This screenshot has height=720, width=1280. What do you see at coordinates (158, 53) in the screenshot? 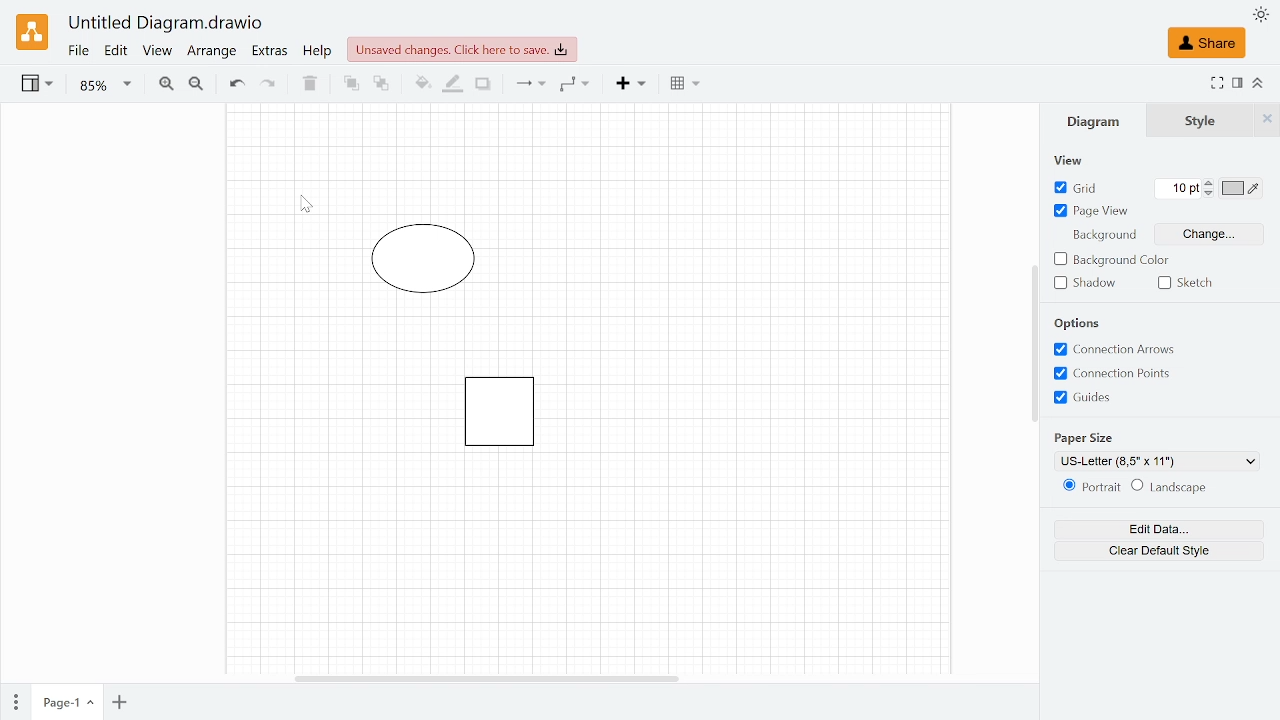
I see `View` at bounding box center [158, 53].